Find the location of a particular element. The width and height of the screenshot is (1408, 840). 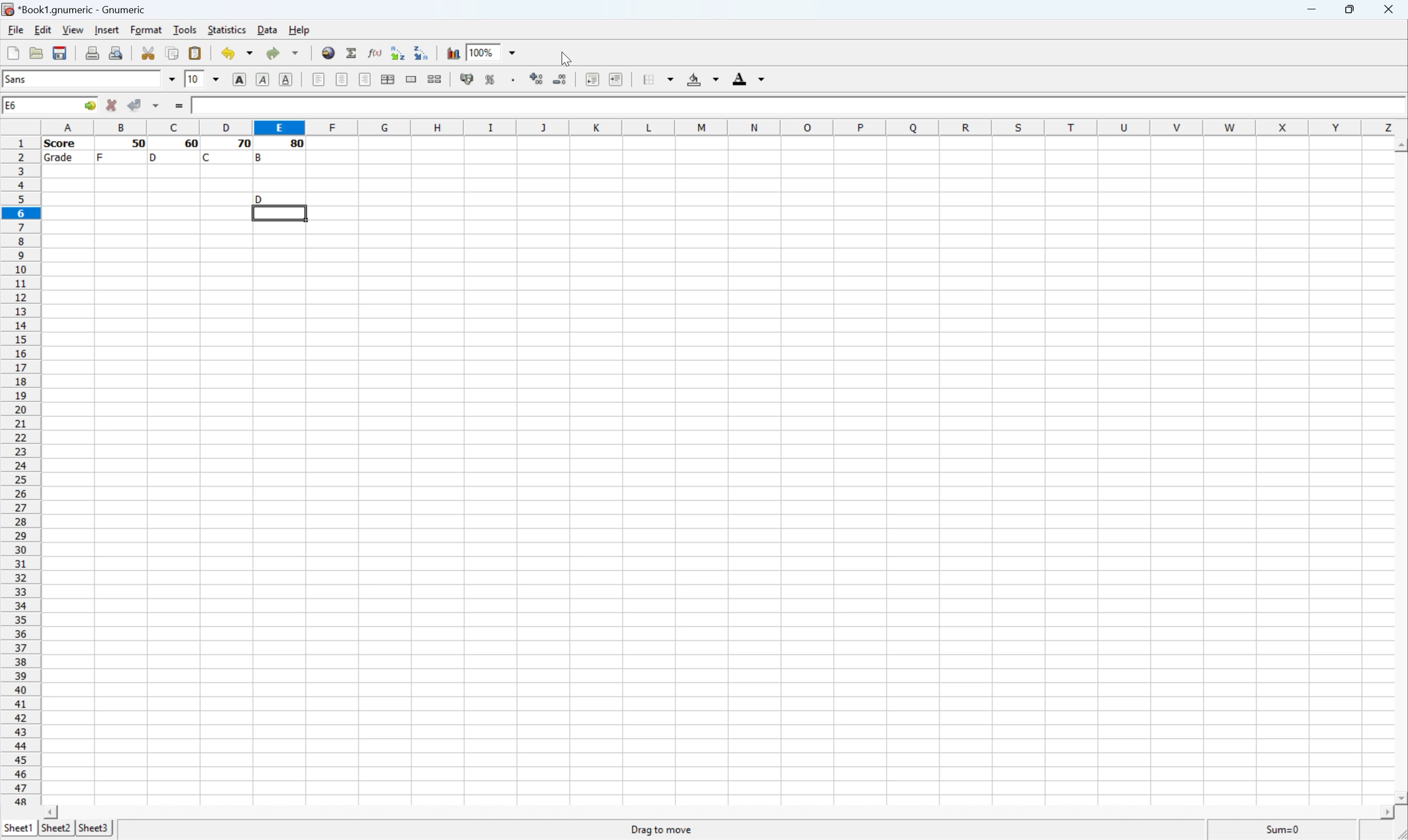

Scroll Left is located at coordinates (48, 810).